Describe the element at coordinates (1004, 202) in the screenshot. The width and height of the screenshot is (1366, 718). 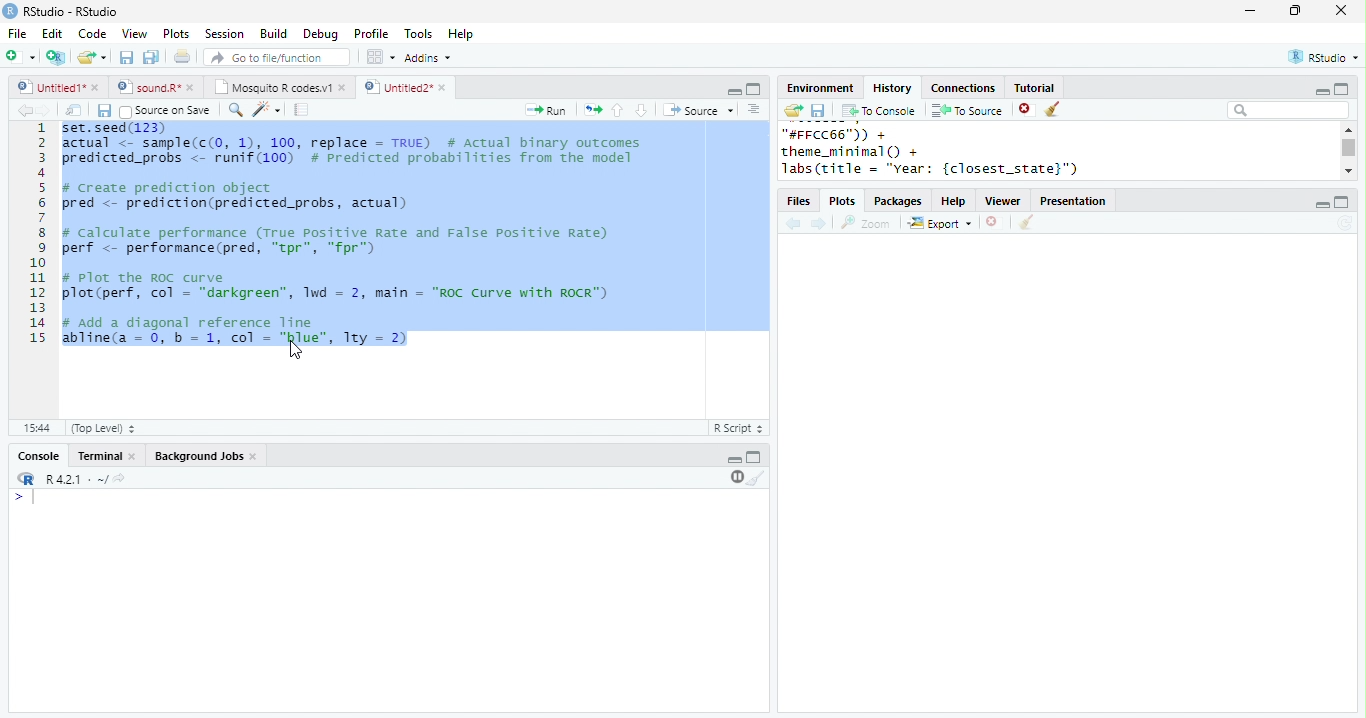
I see `Viewer` at that location.